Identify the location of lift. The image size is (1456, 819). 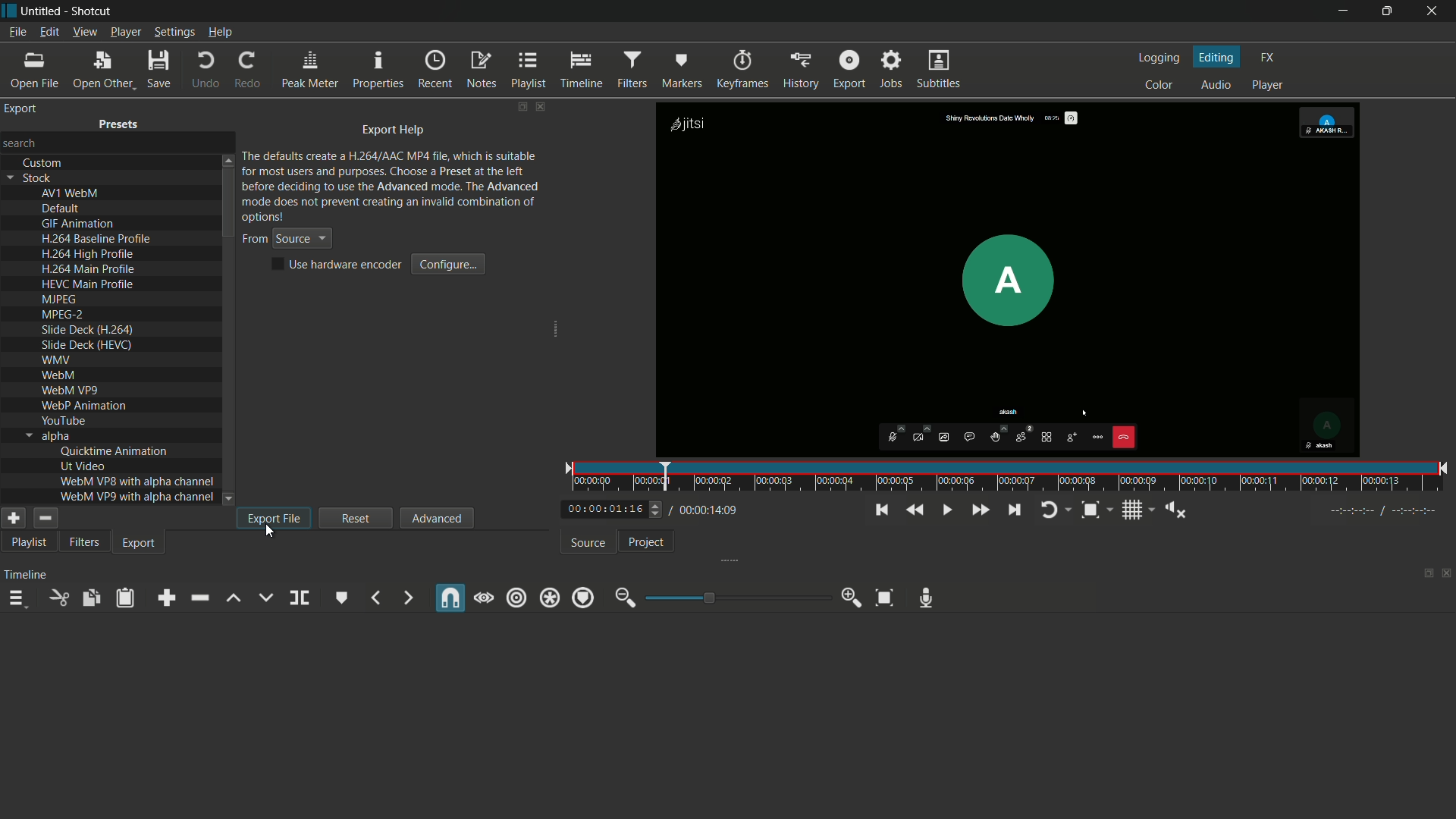
(234, 598).